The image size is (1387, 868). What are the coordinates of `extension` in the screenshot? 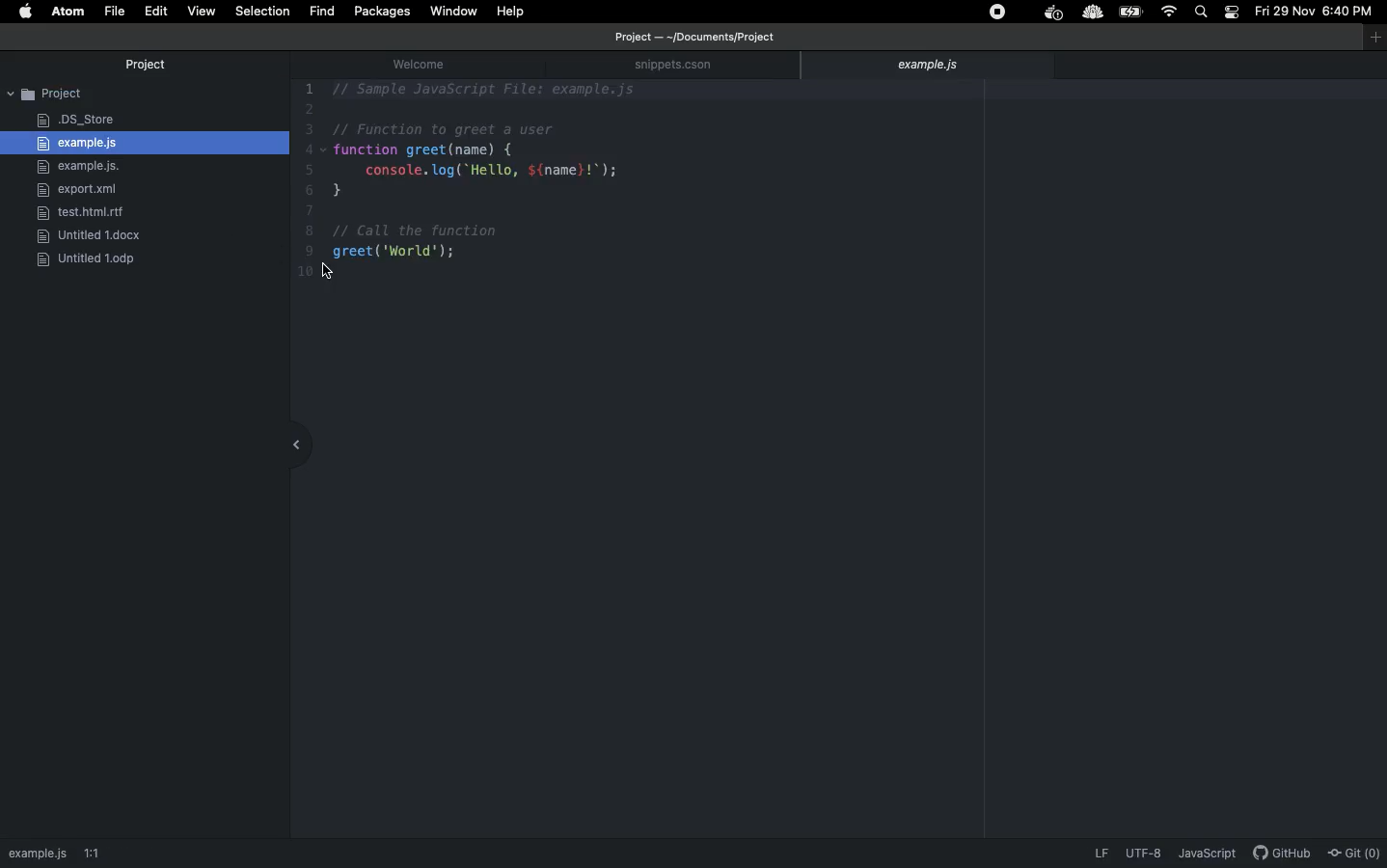 It's located at (1092, 14).